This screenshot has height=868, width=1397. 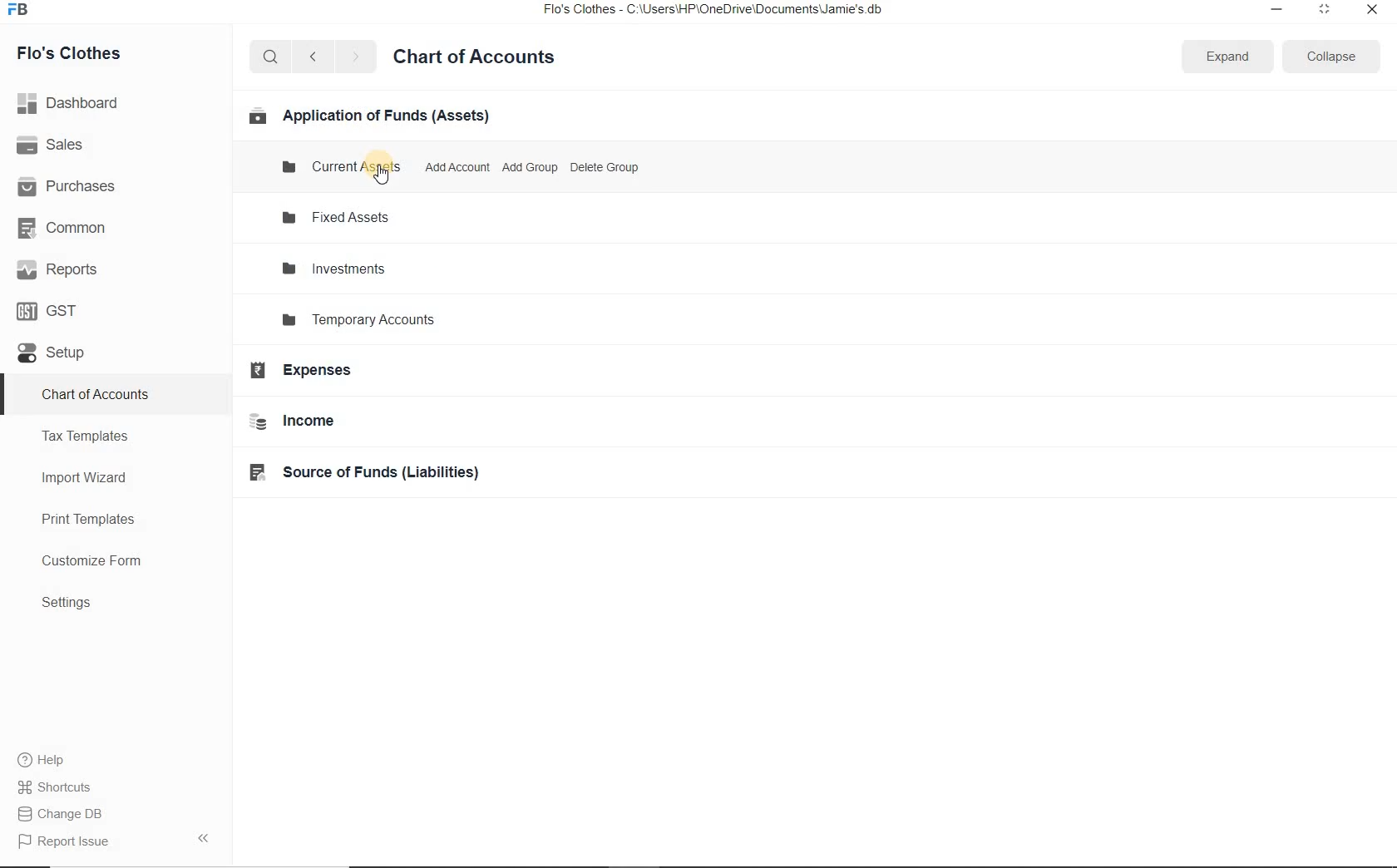 What do you see at coordinates (1330, 56) in the screenshot?
I see `Collapse` at bounding box center [1330, 56].